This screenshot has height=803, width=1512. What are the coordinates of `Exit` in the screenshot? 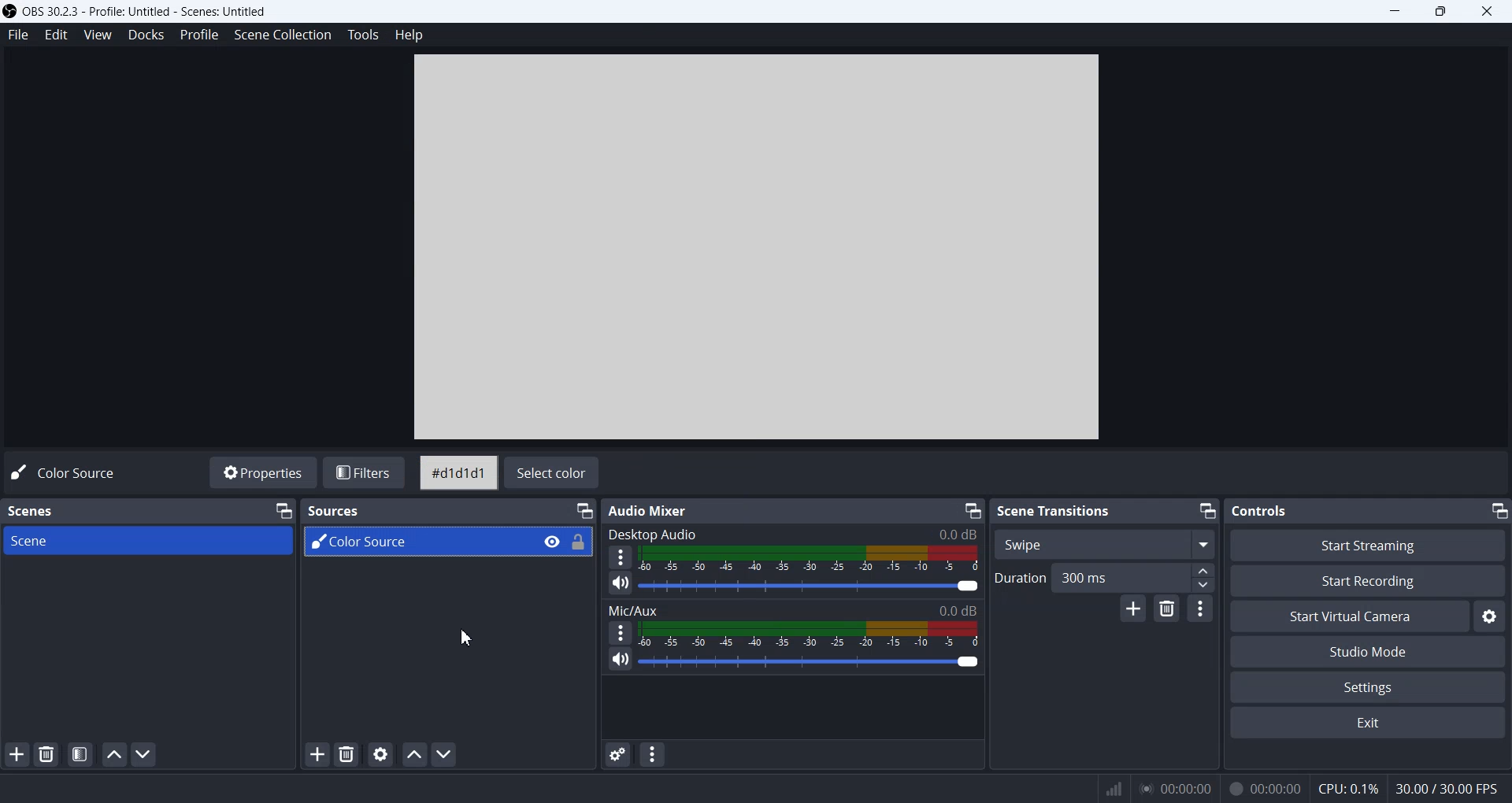 It's located at (1369, 724).